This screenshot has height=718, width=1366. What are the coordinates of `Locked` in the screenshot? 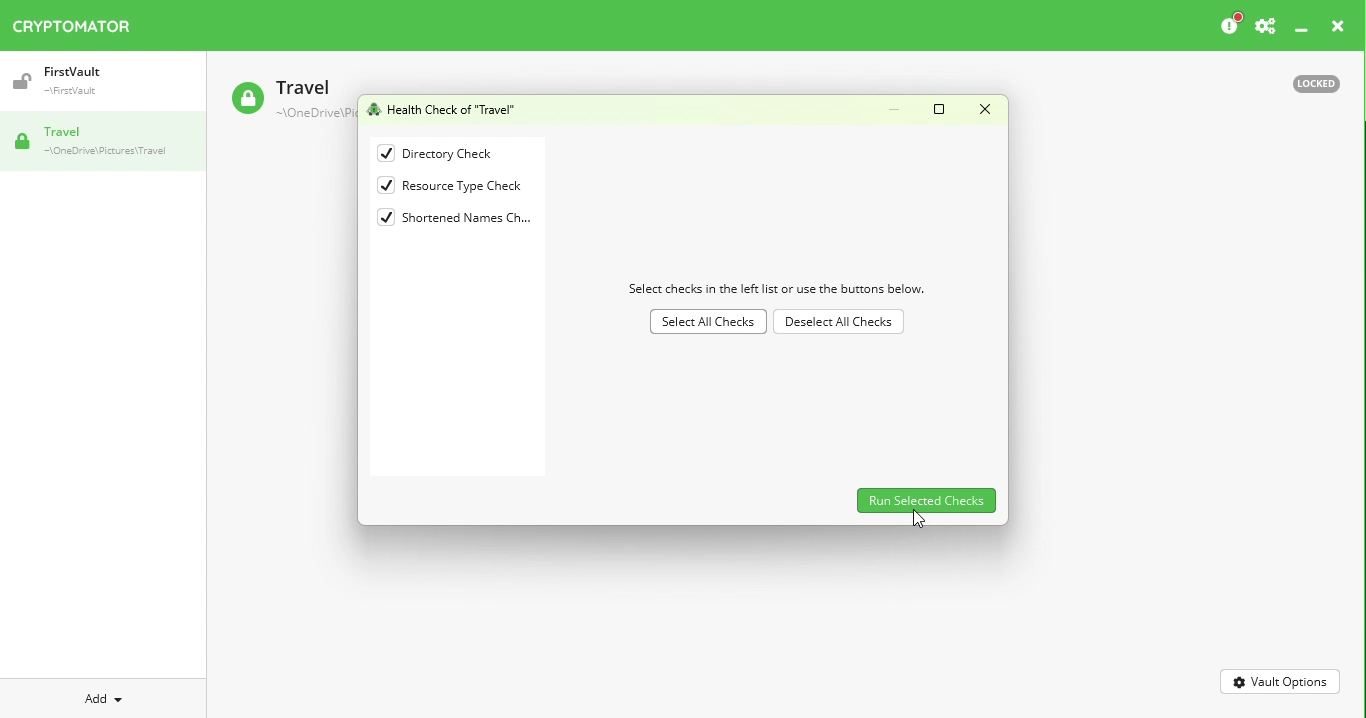 It's located at (1314, 84).